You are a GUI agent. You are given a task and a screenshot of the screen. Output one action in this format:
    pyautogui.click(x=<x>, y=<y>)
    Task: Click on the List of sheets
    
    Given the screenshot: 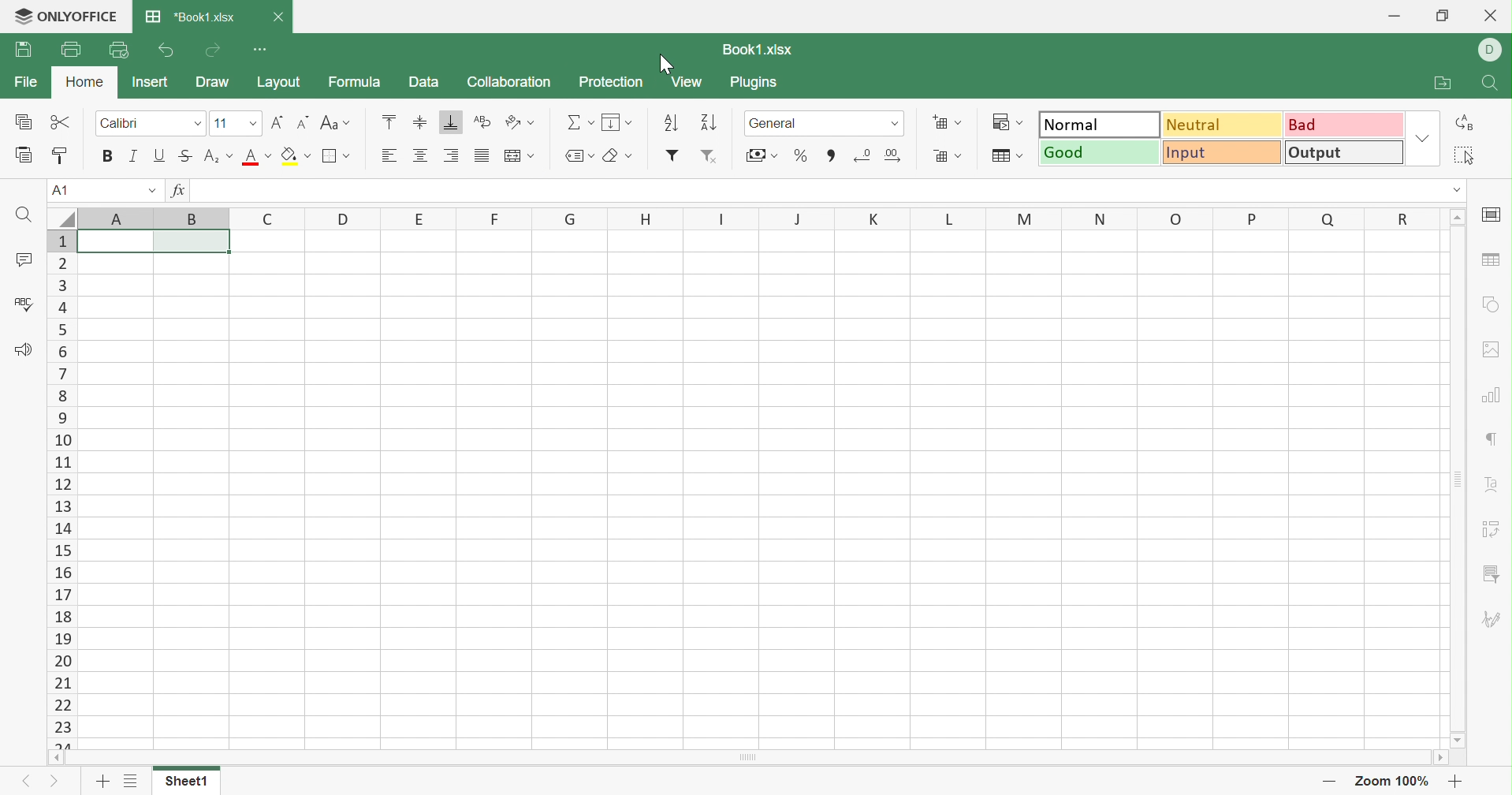 What is the action you would take?
    pyautogui.click(x=132, y=783)
    